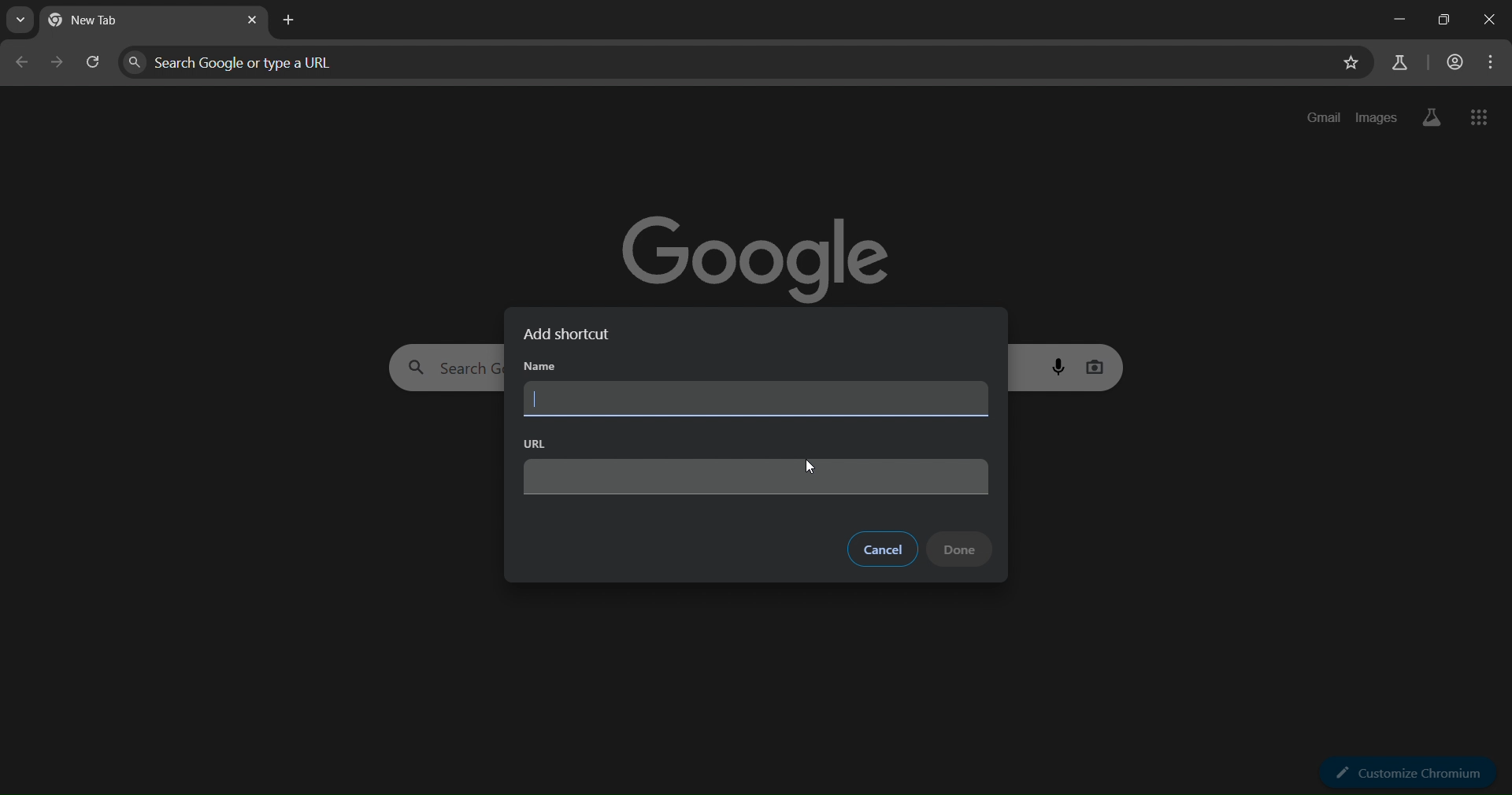 This screenshot has width=1512, height=795. Describe the element at coordinates (539, 368) in the screenshot. I see `name` at that location.